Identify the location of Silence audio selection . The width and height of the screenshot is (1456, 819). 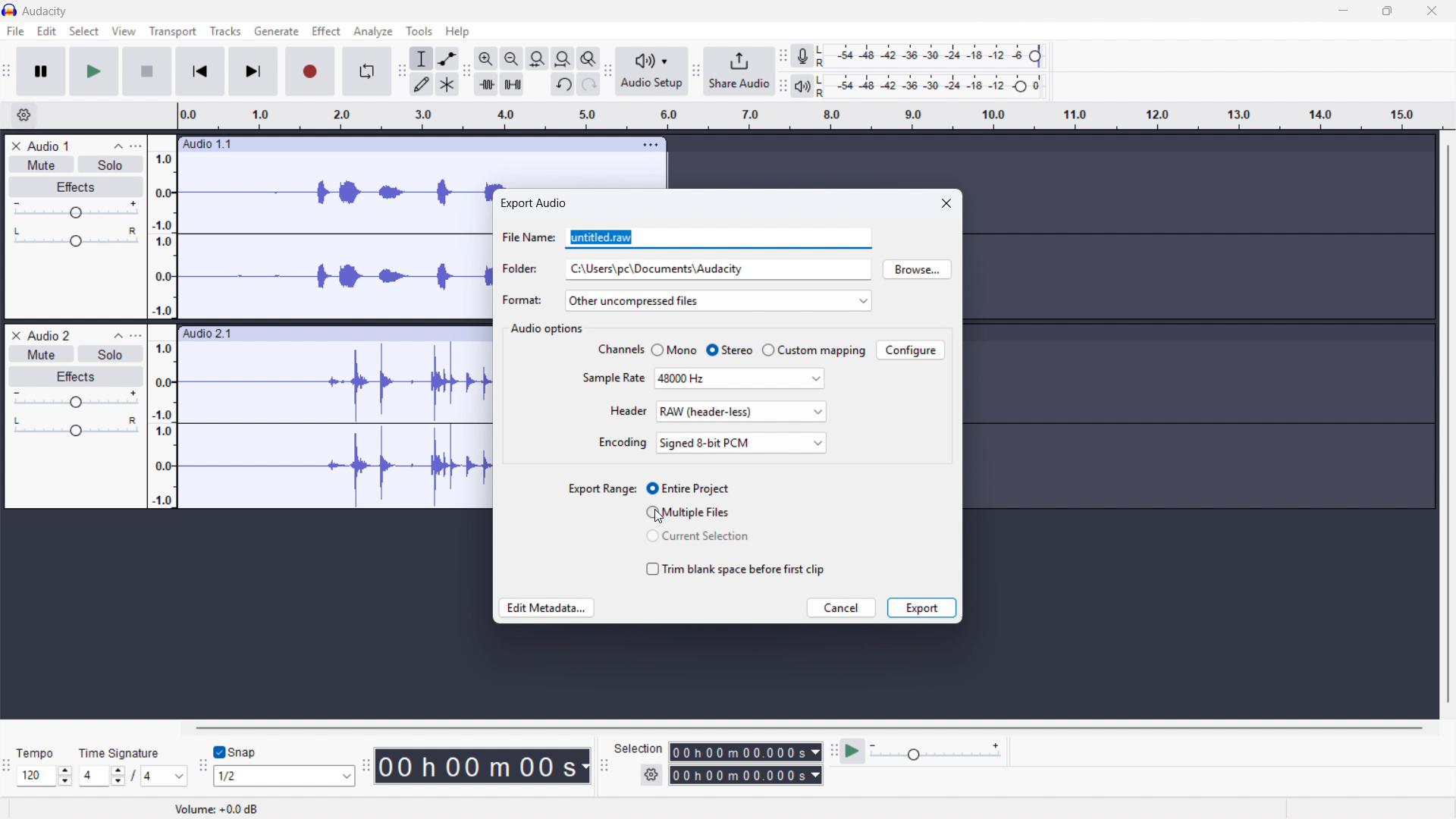
(512, 84).